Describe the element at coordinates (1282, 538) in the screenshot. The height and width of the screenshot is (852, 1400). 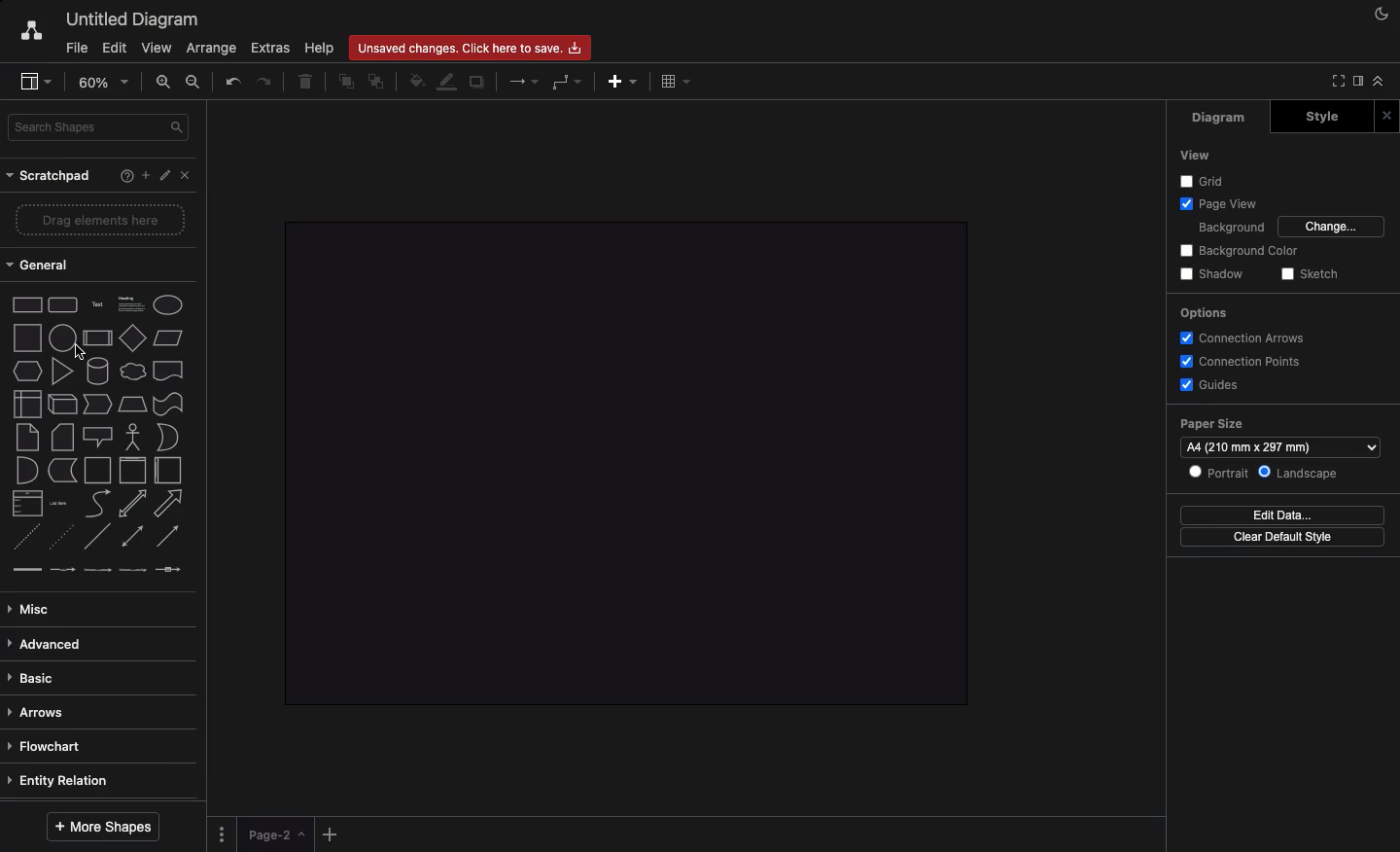
I see `Clear default style` at that location.